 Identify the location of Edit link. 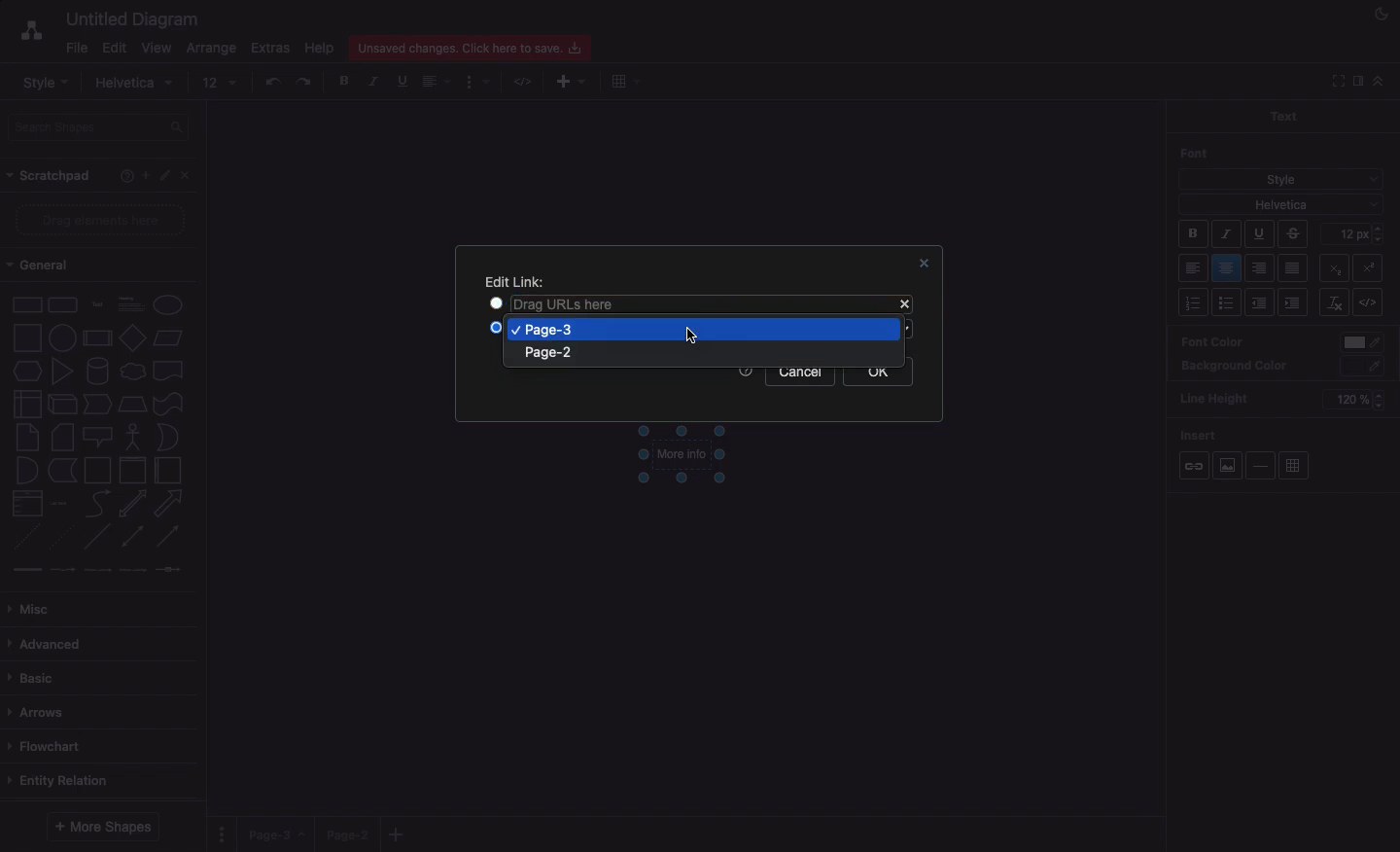
(515, 282).